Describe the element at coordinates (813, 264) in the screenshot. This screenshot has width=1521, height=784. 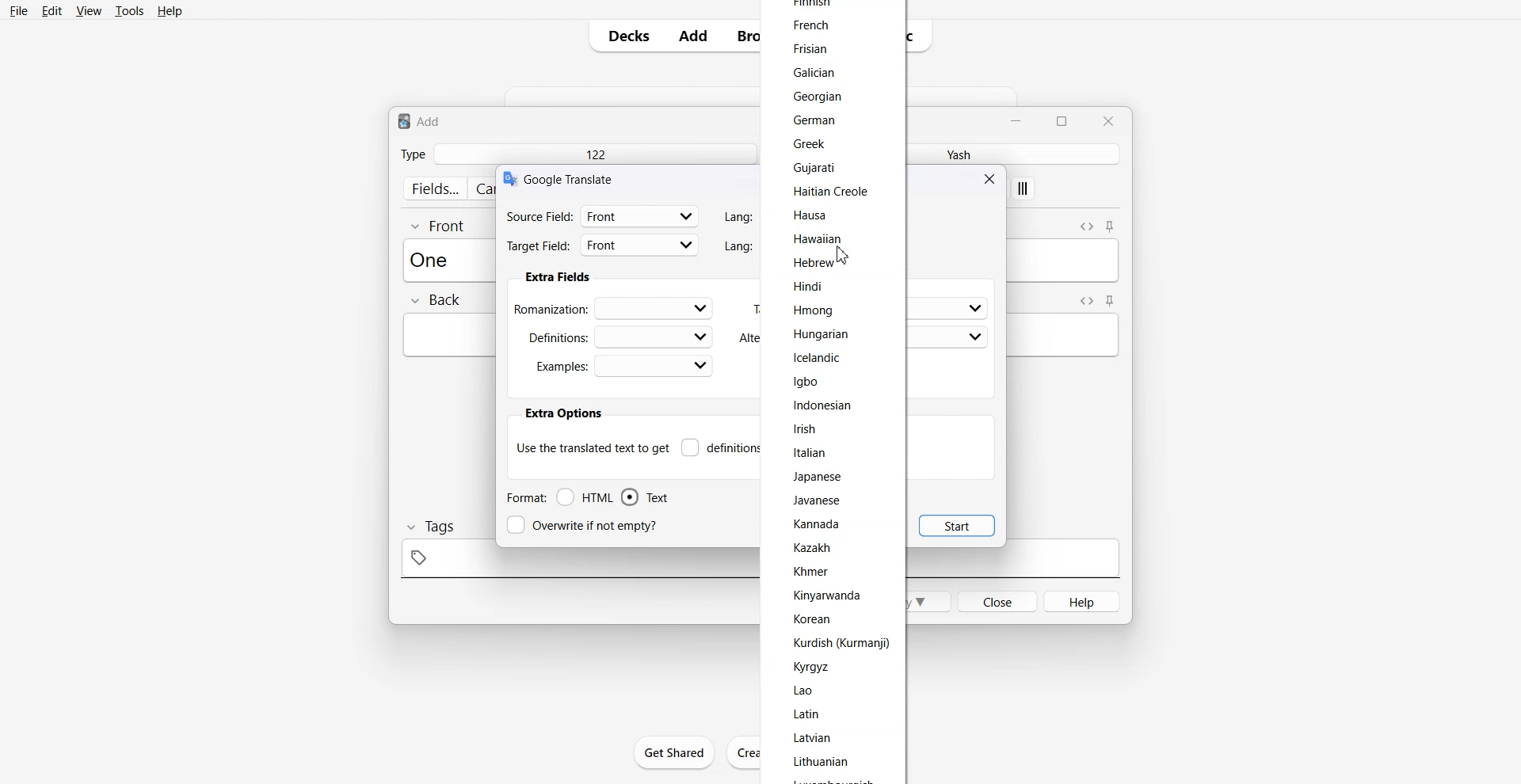
I see `Hebrew` at that location.